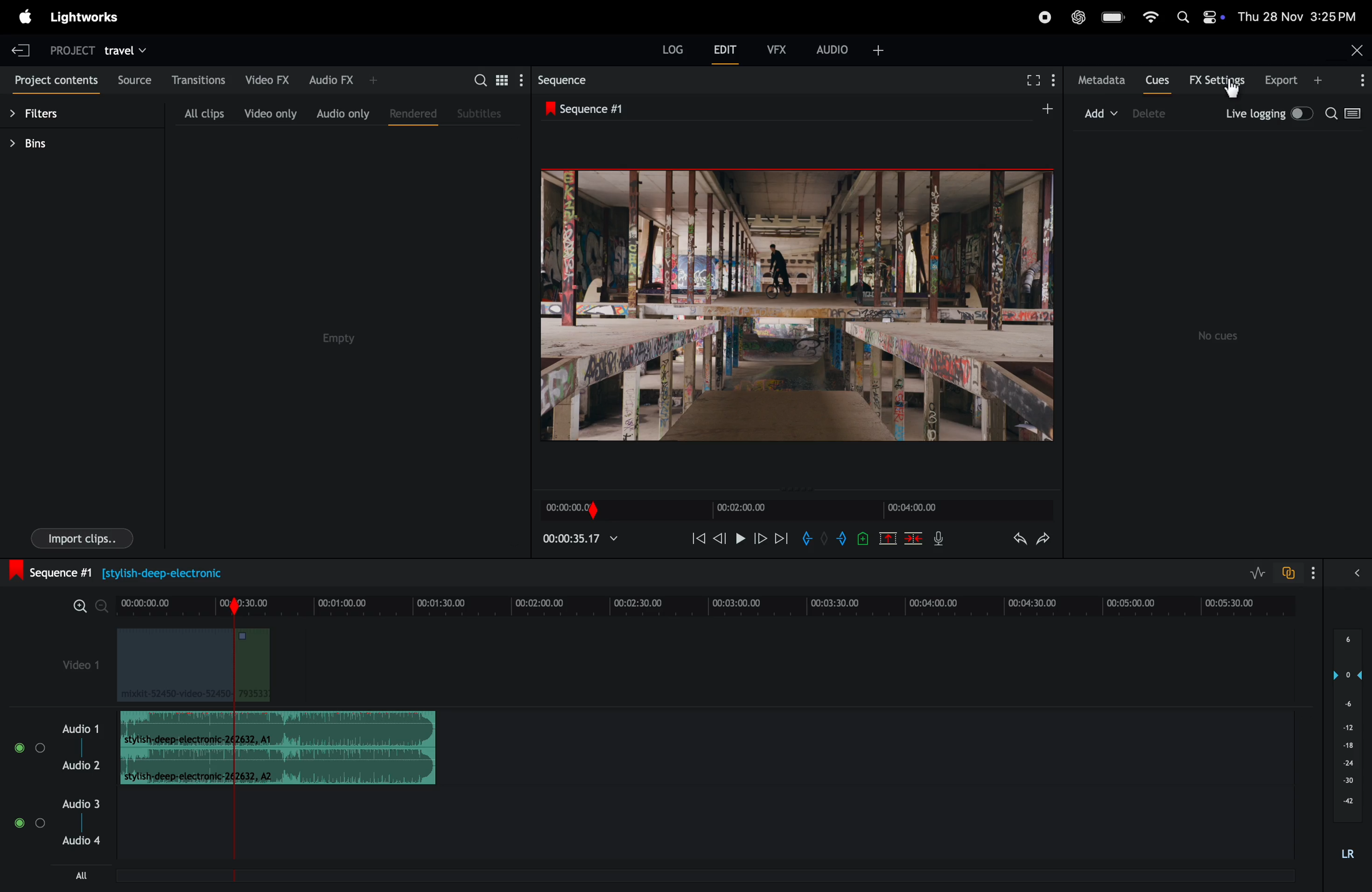 The image size is (1372, 892). Describe the element at coordinates (412, 116) in the screenshot. I see `rendered` at that location.